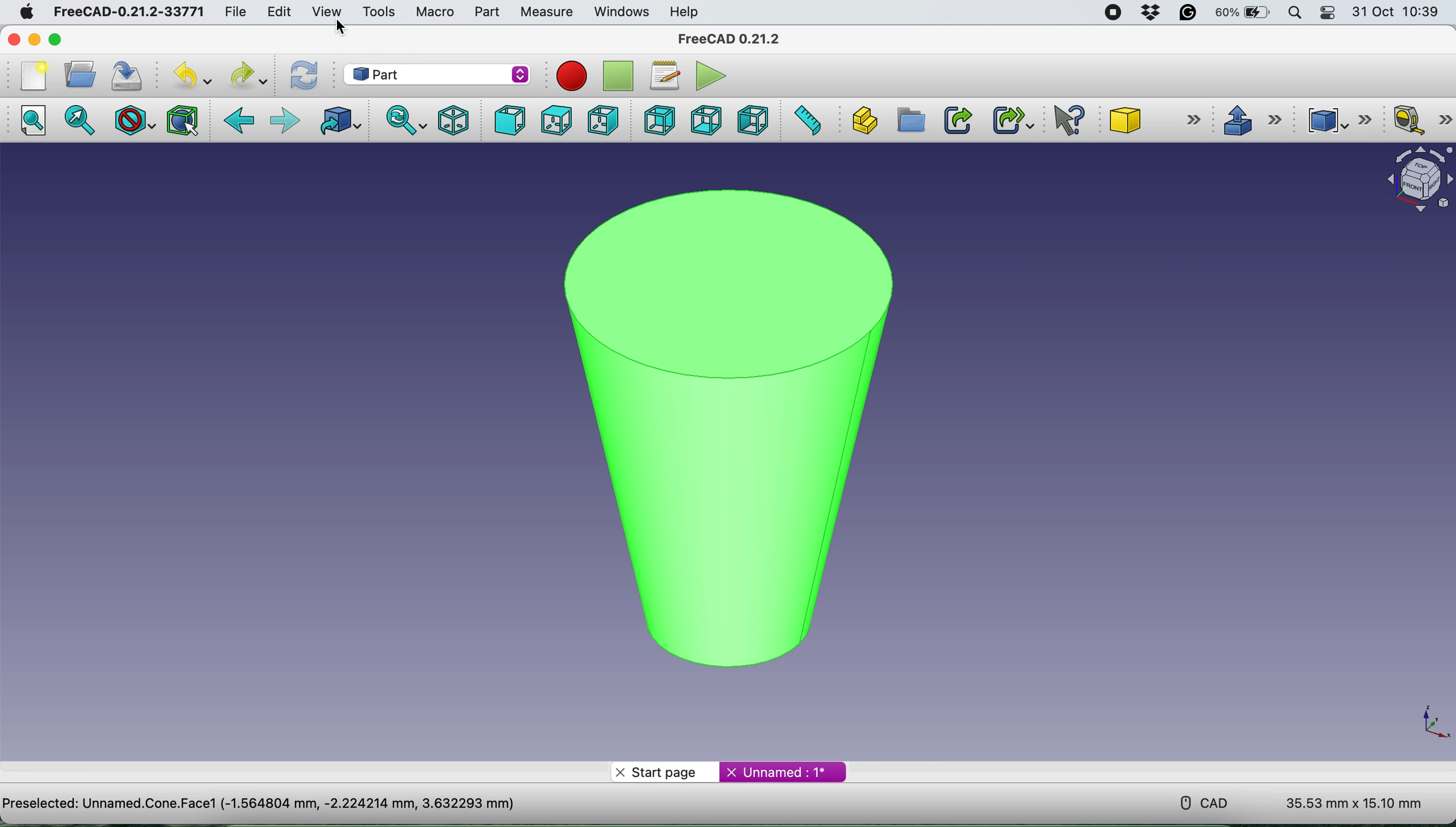 The width and height of the screenshot is (1456, 827). Describe the element at coordinates (619, 11) in the screenshot. I see `windows` at that location.